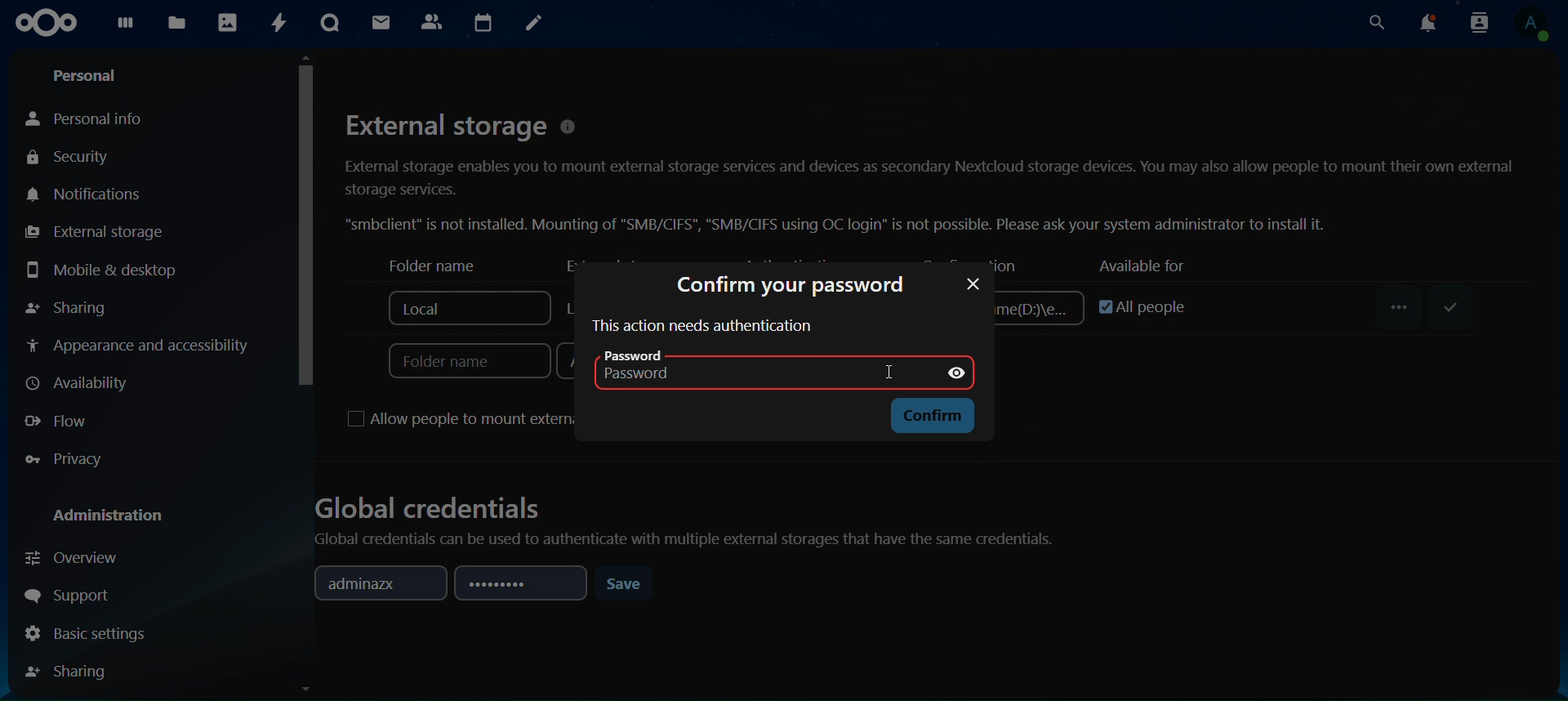 The height and width of the screenshot is (701, 1568). I want to click on files, so click(176, 25).